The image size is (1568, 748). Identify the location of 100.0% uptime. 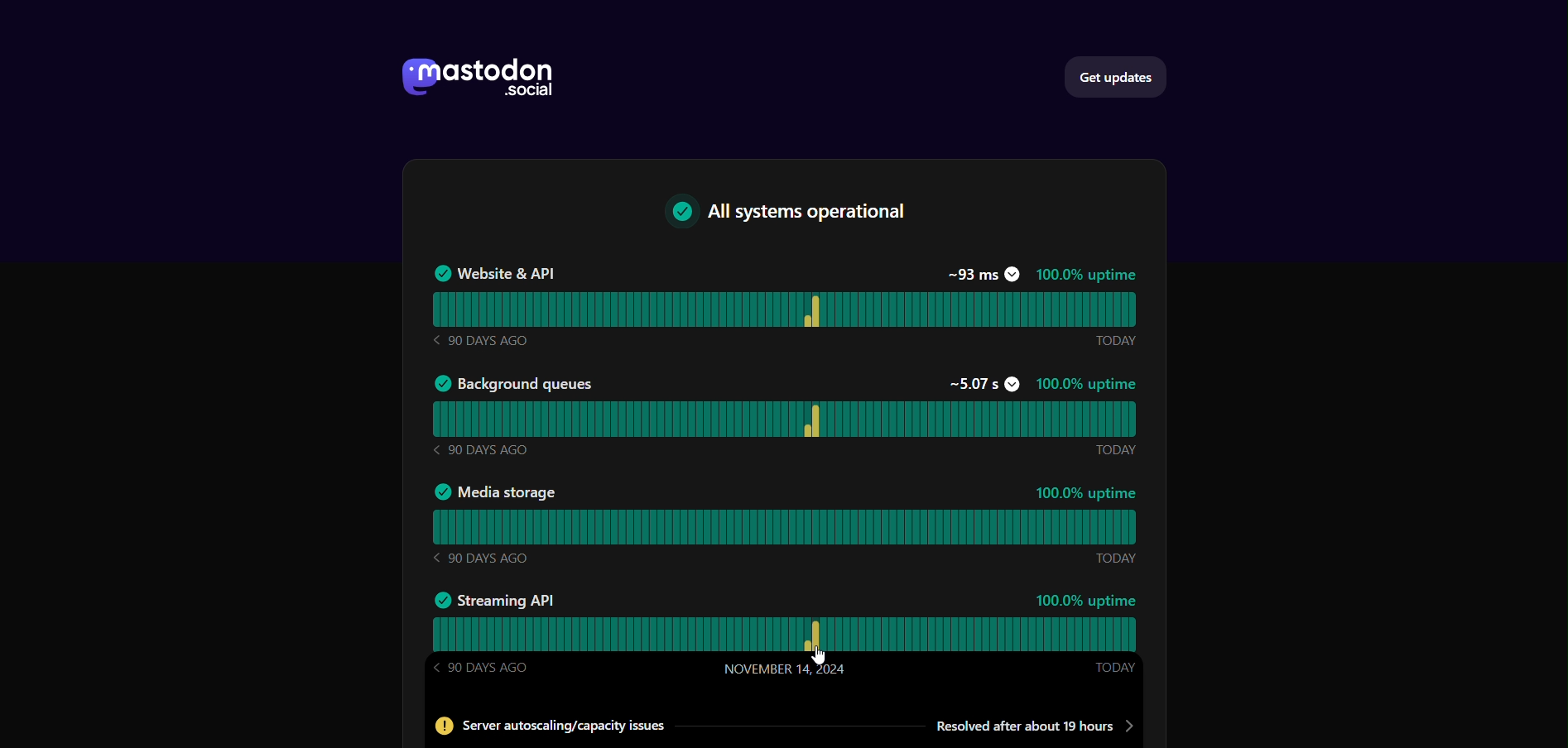
(1088, 492).